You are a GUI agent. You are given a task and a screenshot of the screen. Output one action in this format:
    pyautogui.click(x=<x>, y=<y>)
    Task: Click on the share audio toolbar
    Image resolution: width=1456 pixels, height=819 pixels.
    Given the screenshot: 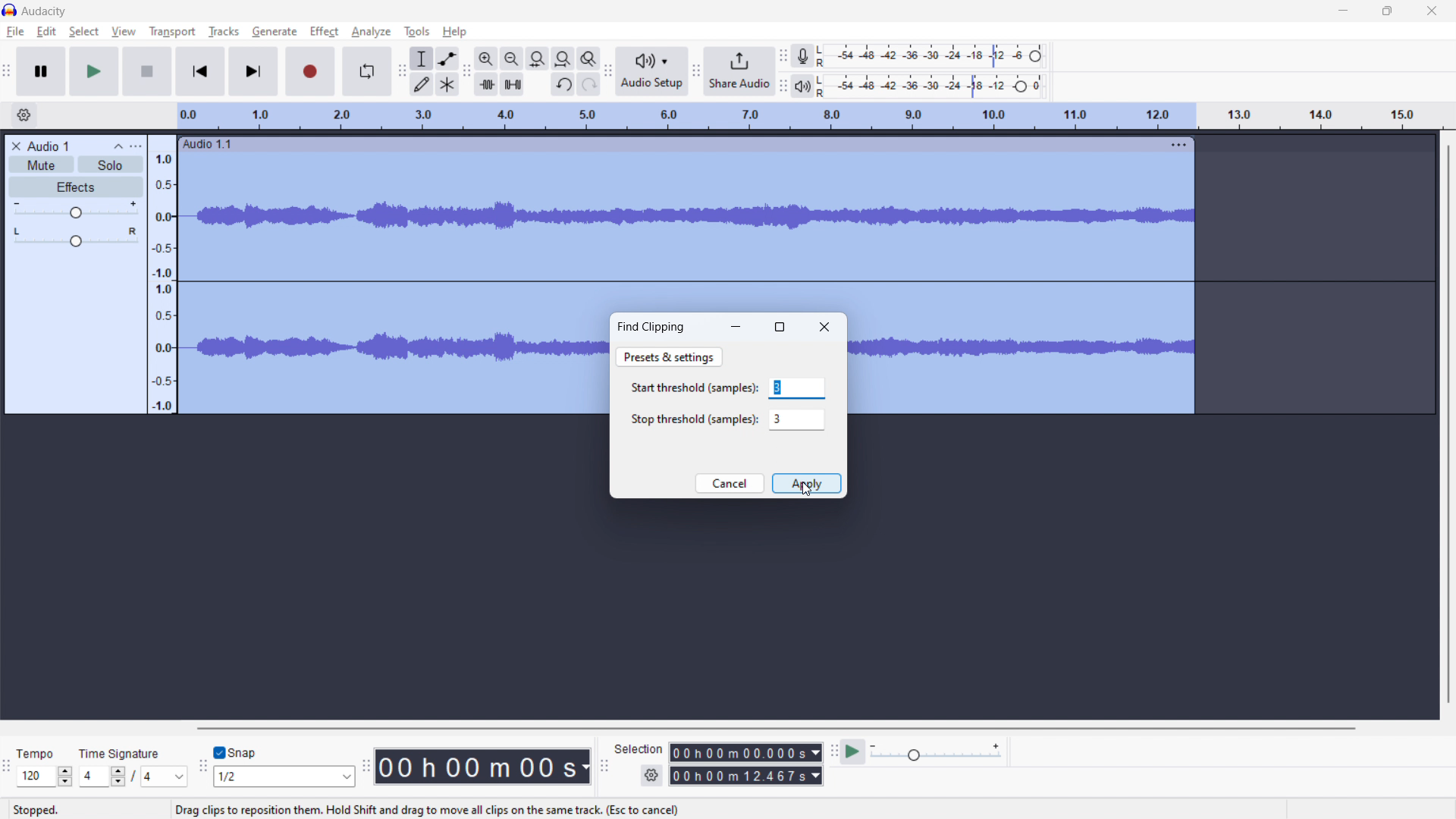 What is the action you would take?
    pyautogui.click(x=697, y=73)
    